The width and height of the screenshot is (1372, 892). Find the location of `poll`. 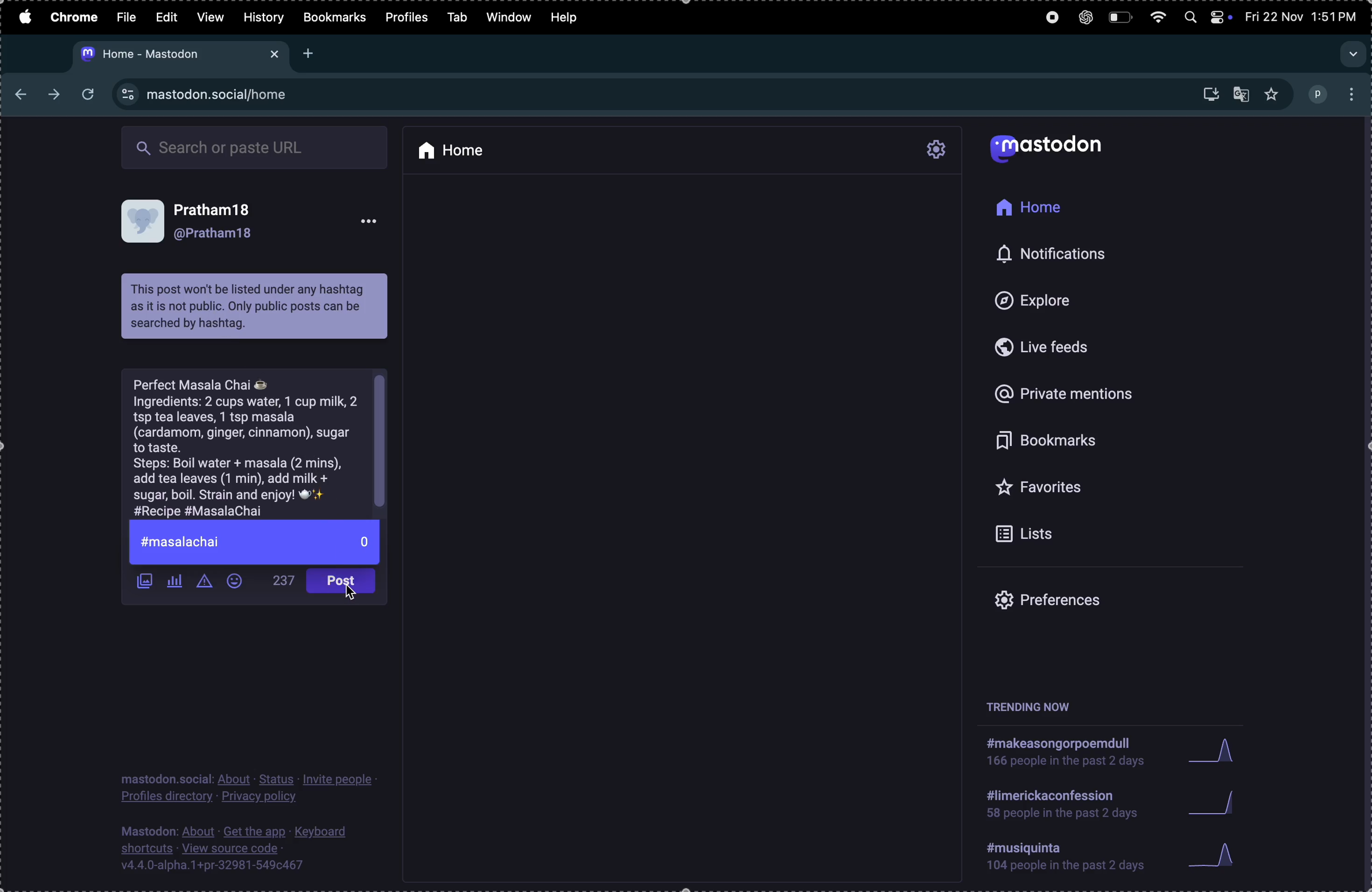

poll is located at coordinates (175, 583).